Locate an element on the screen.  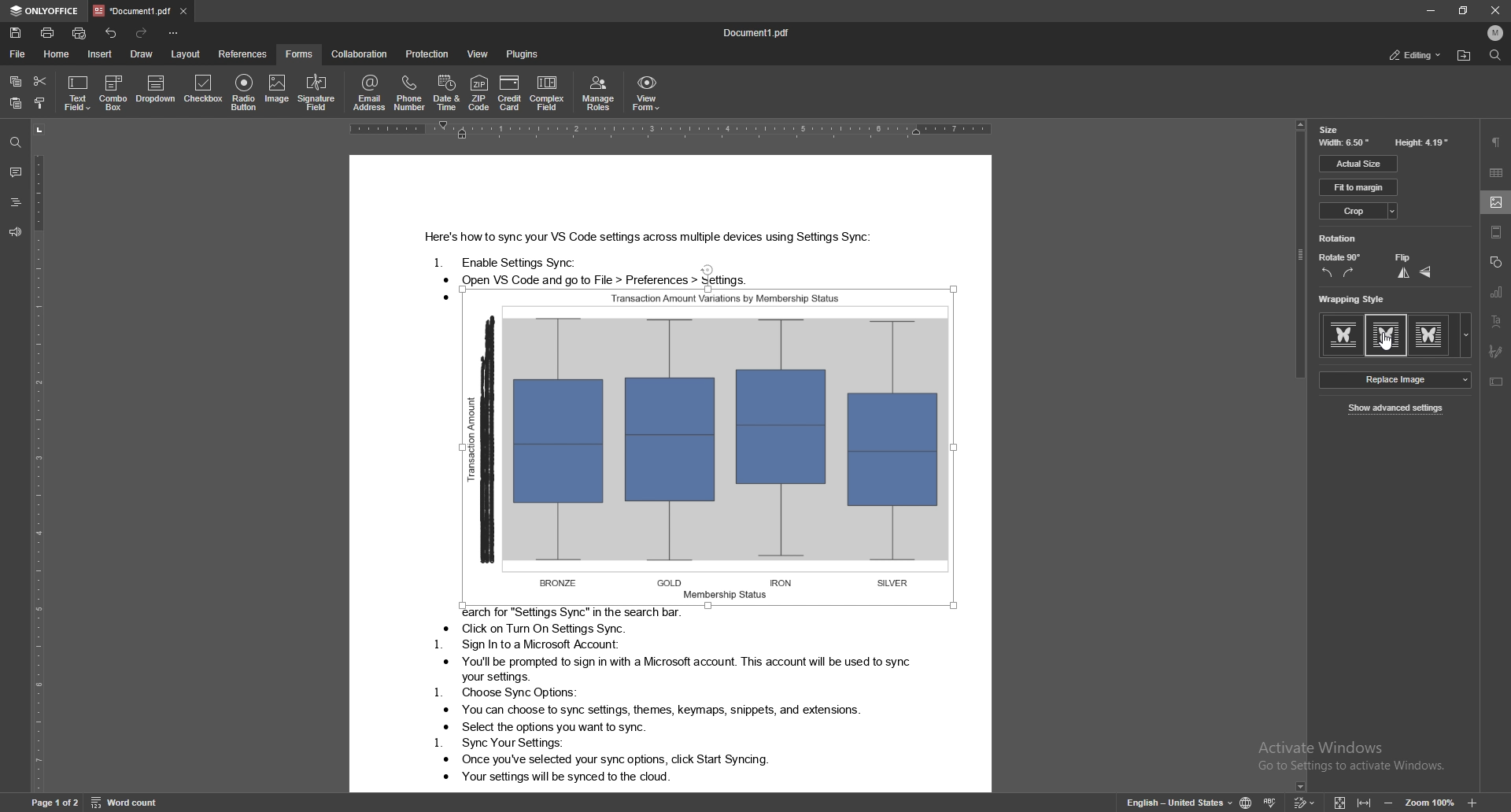
redo is located at coordinates (144, 34).